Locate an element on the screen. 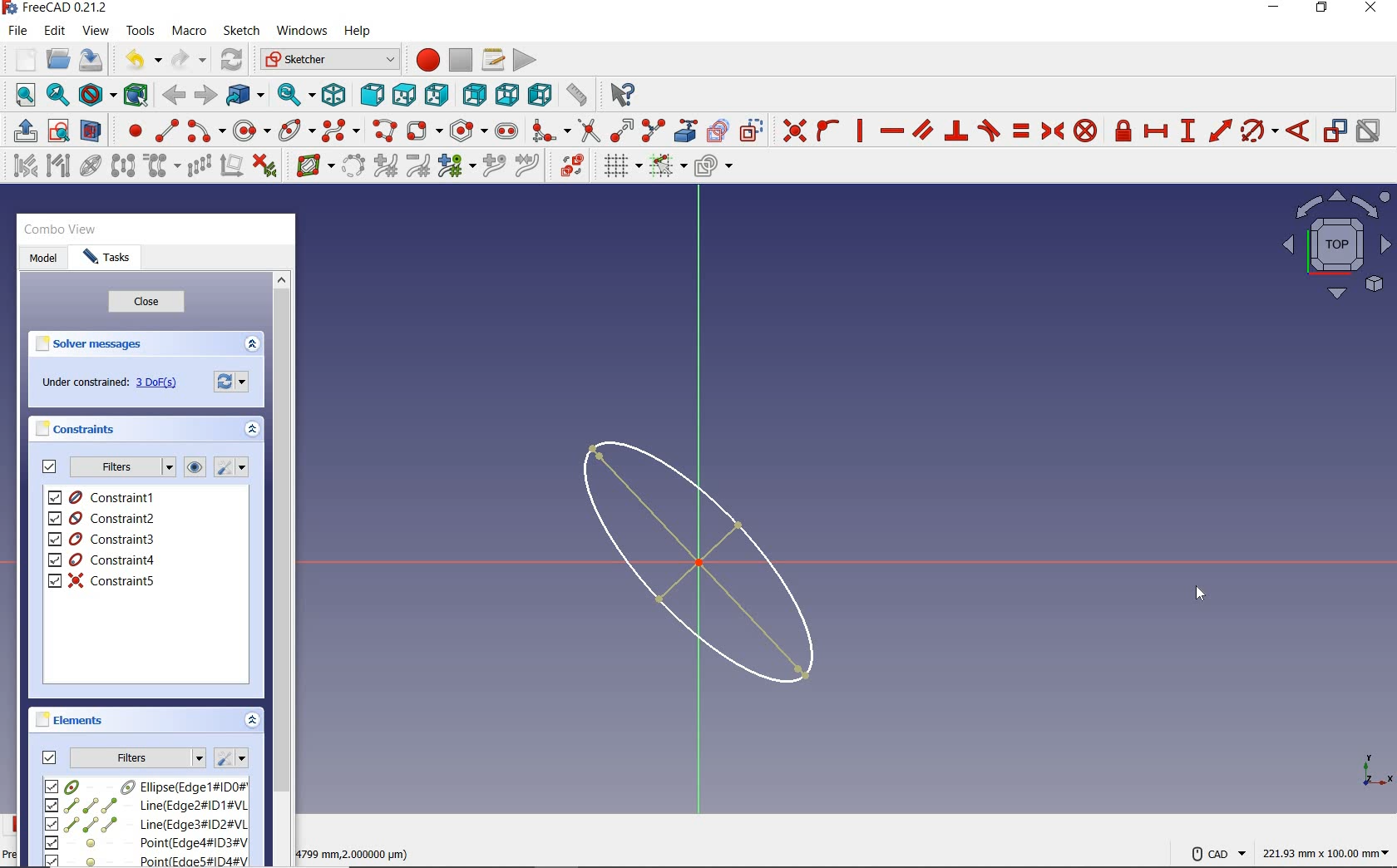 The image size is (1397, 868). constrain ar/circle is located at coordinates (1260, 130).